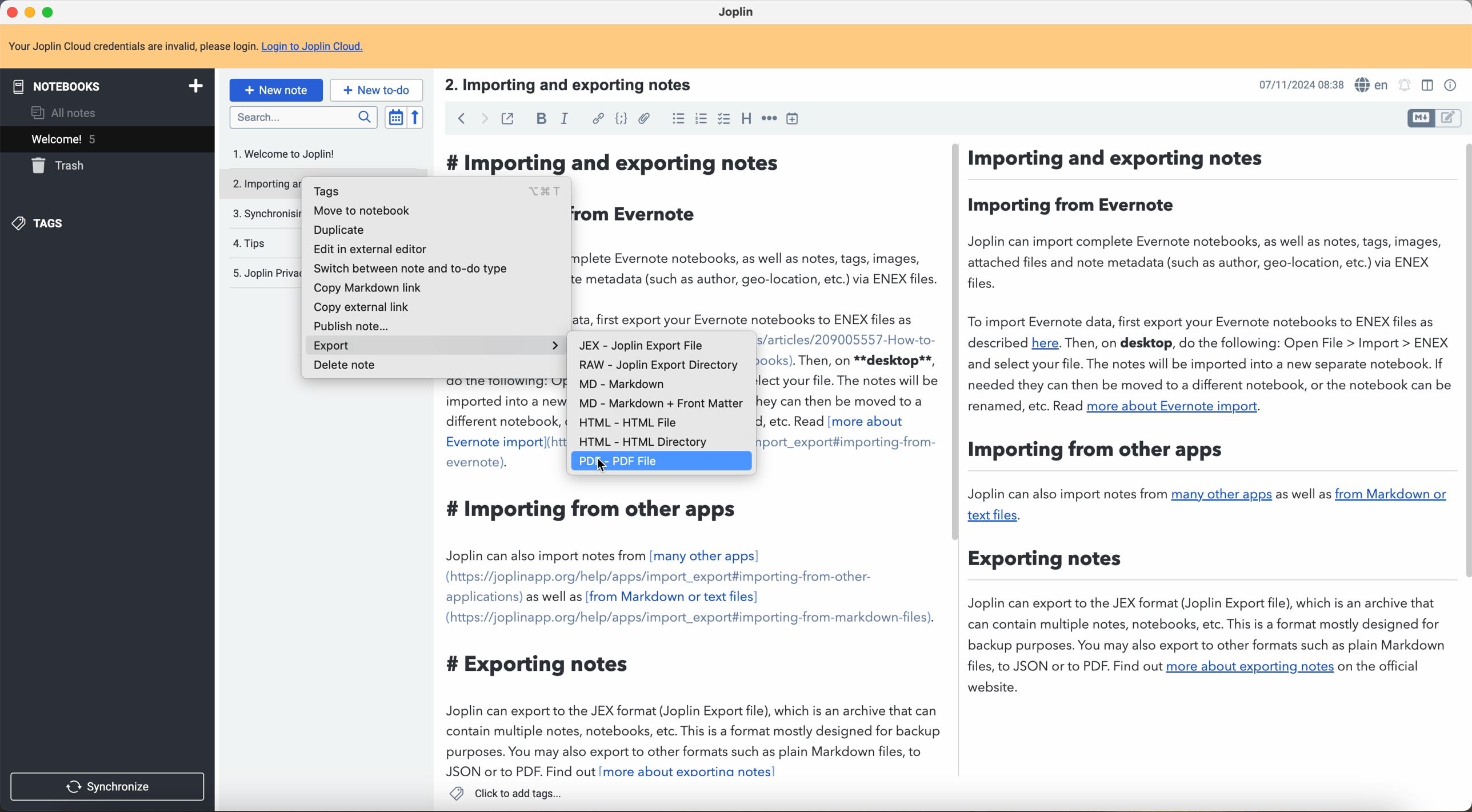 The width and height of the screenshot is (1472, 812). What do you see at coordinates (770, 120) in the screenshot?
I see `horizontal rule` at bounding box center [770, 120].